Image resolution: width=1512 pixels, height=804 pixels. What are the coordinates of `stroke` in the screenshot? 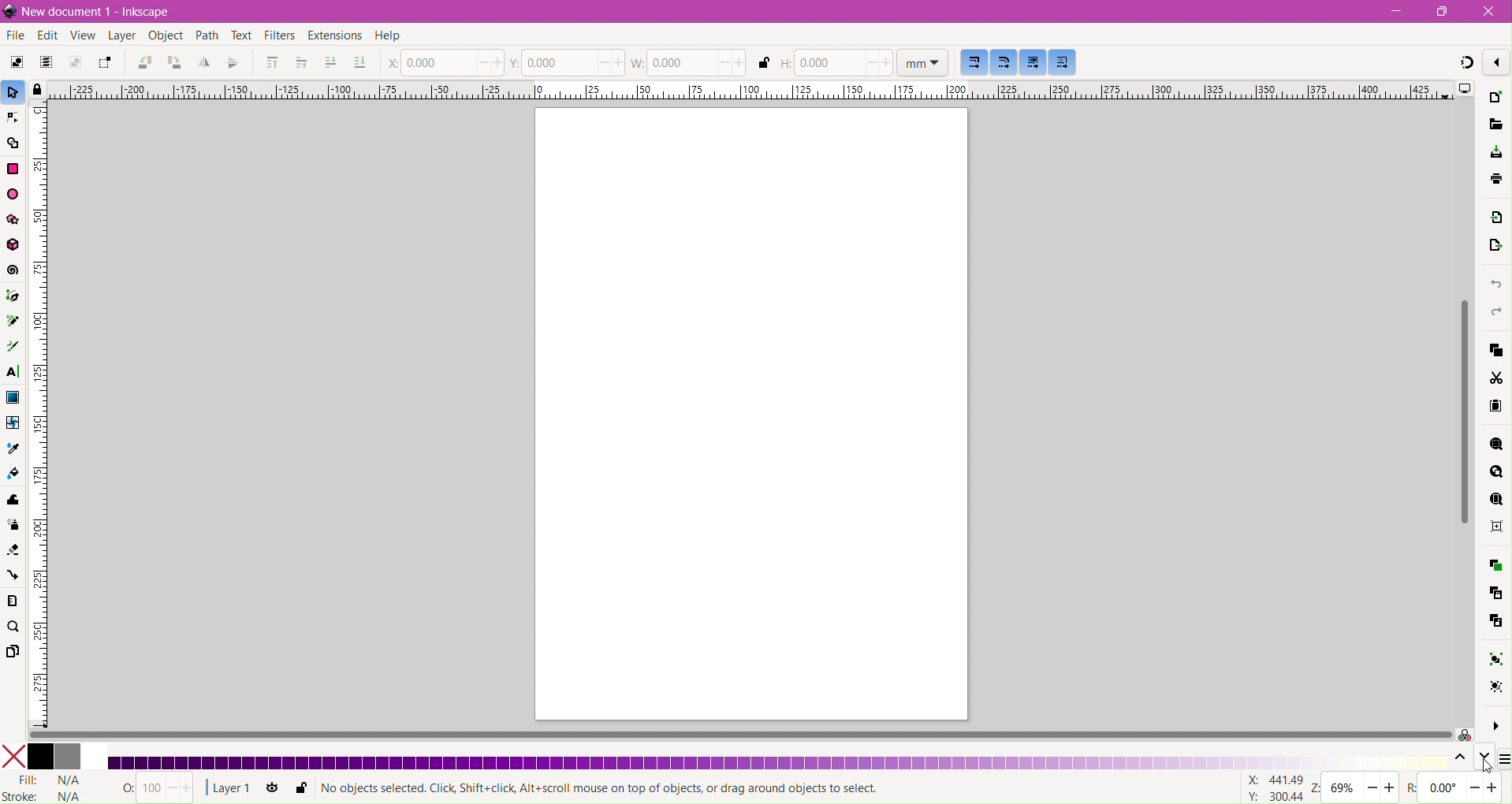 It's located at (49, 795).